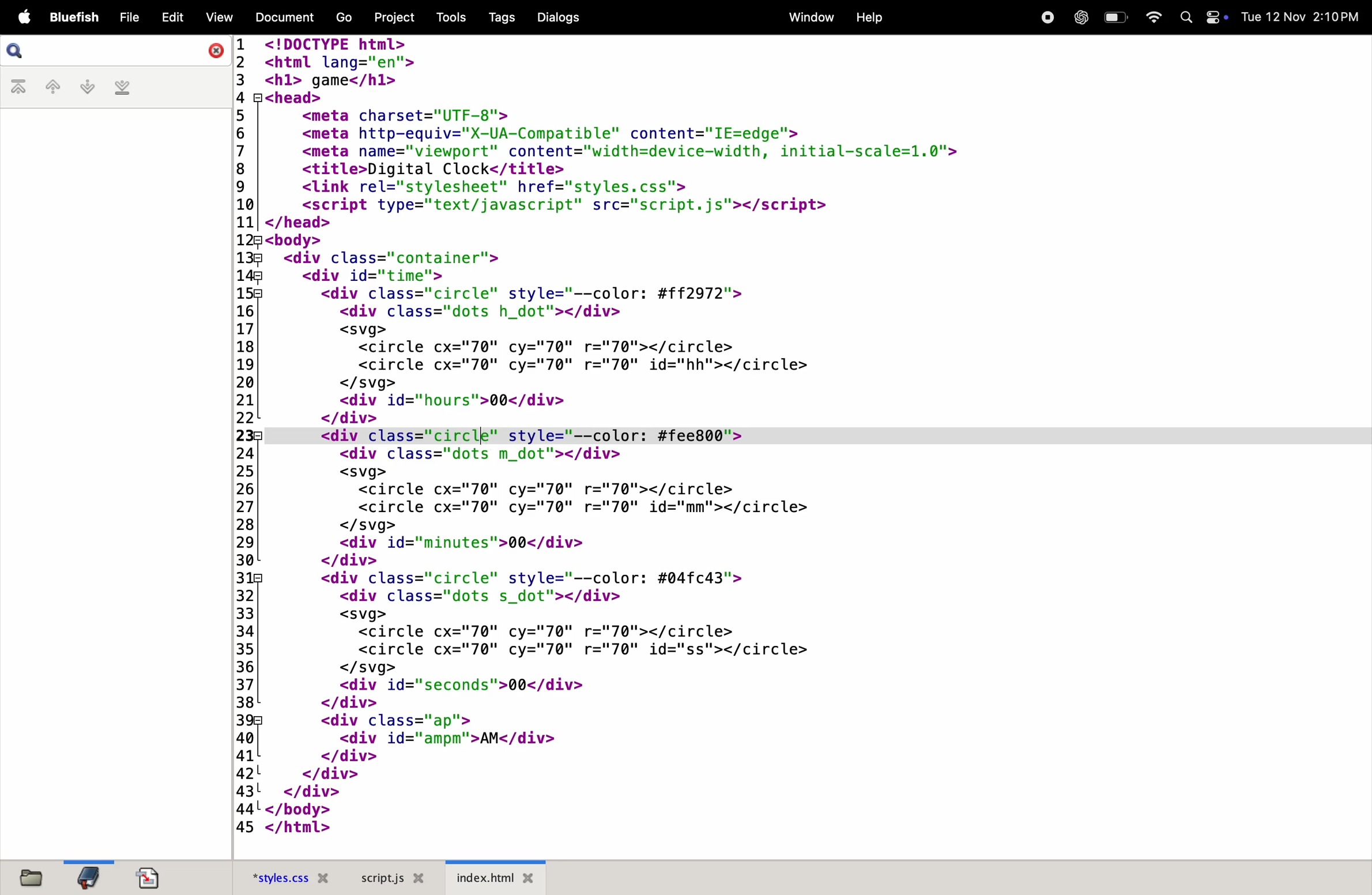 Image resolution: width=1372 pixels, height=895 pixels. What do you see at coordinates (29, 876) in the screenshot?
I see `files` at bounding box center [29, 876].